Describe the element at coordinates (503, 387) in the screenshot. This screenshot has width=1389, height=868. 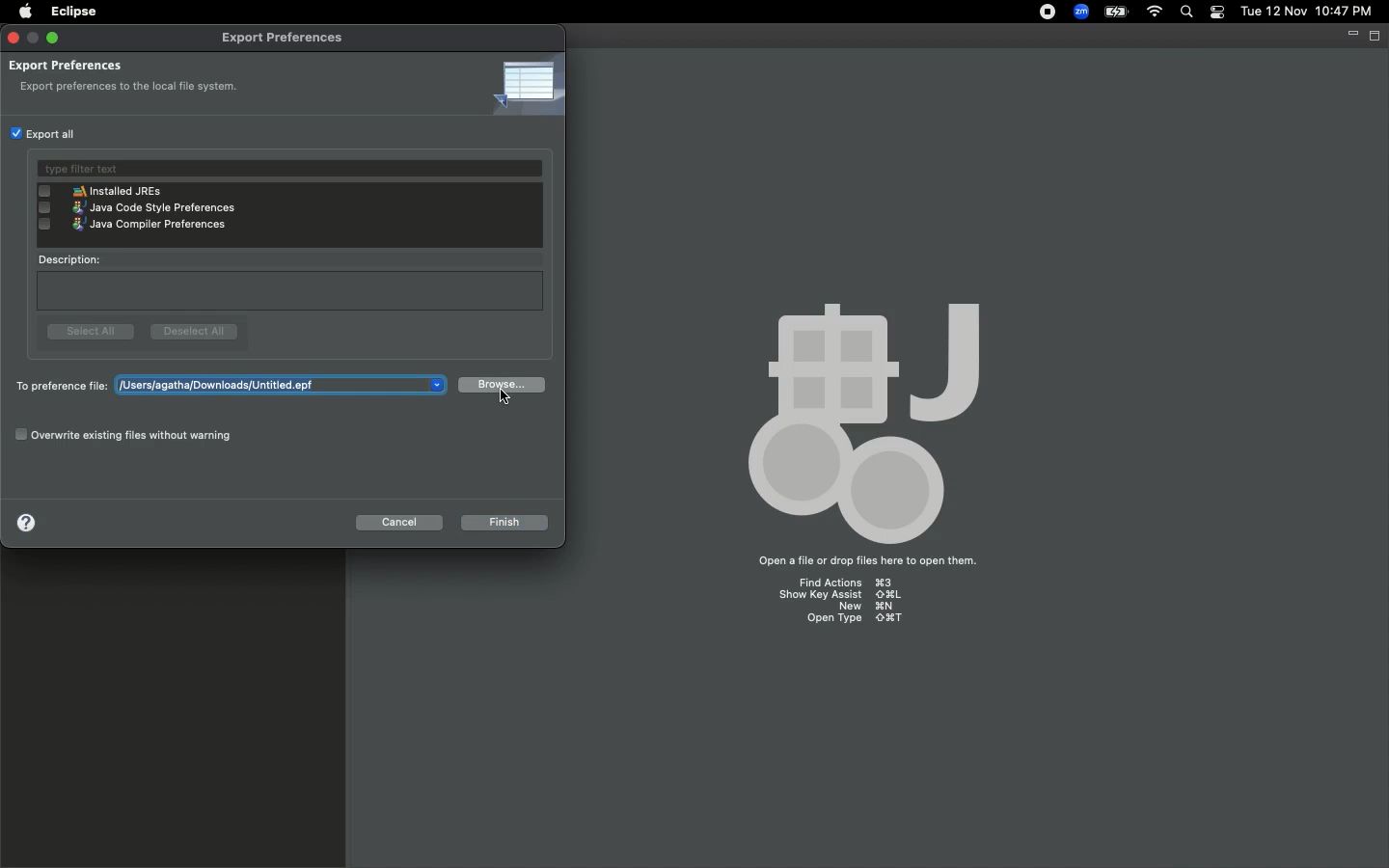
I see `Browse` at that location.